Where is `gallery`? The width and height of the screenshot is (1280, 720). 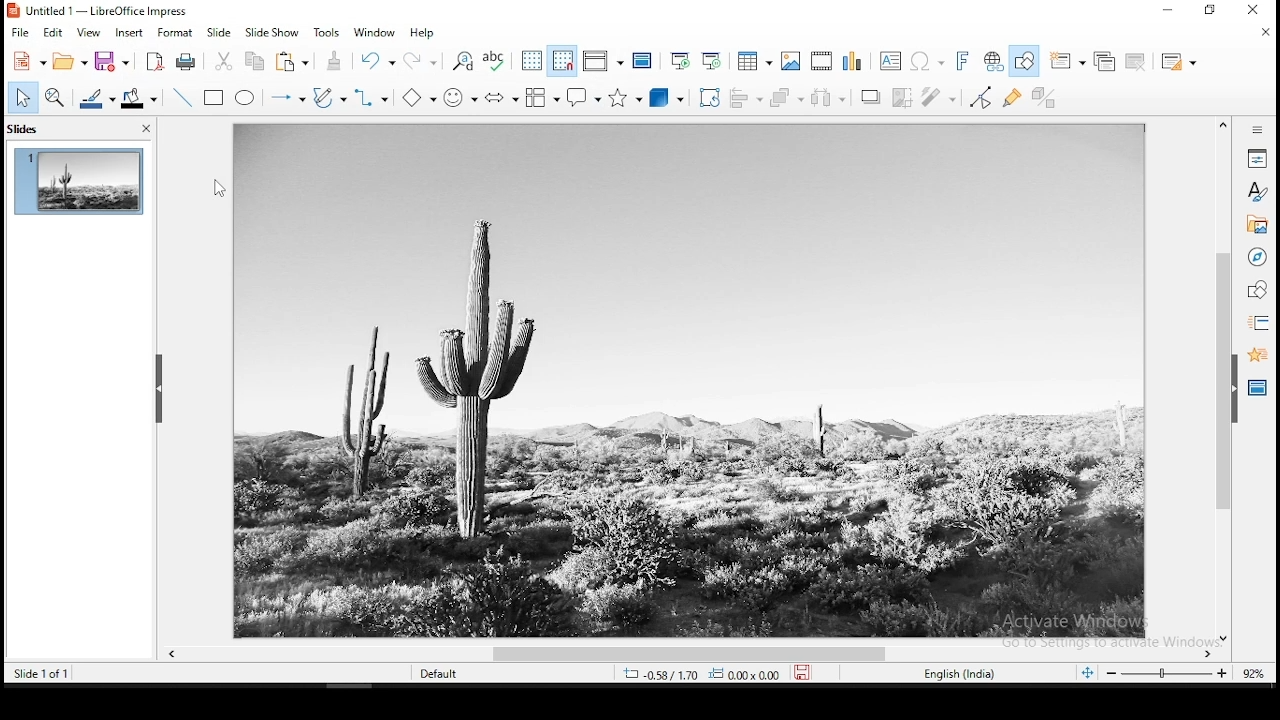
gallery is located at coordinates (1259, 226).